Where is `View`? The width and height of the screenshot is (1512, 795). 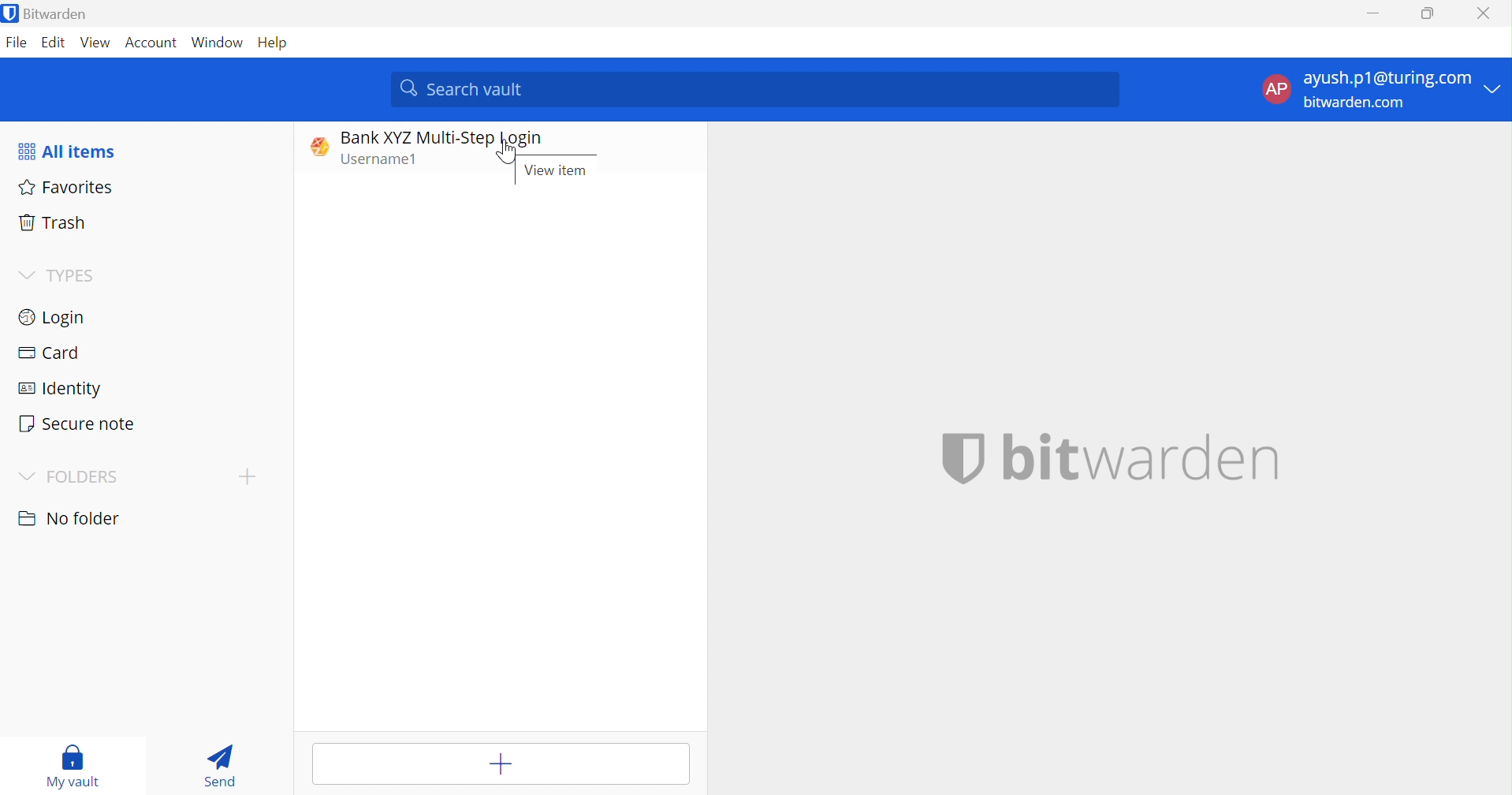 View is located at coordinates (96, 43).